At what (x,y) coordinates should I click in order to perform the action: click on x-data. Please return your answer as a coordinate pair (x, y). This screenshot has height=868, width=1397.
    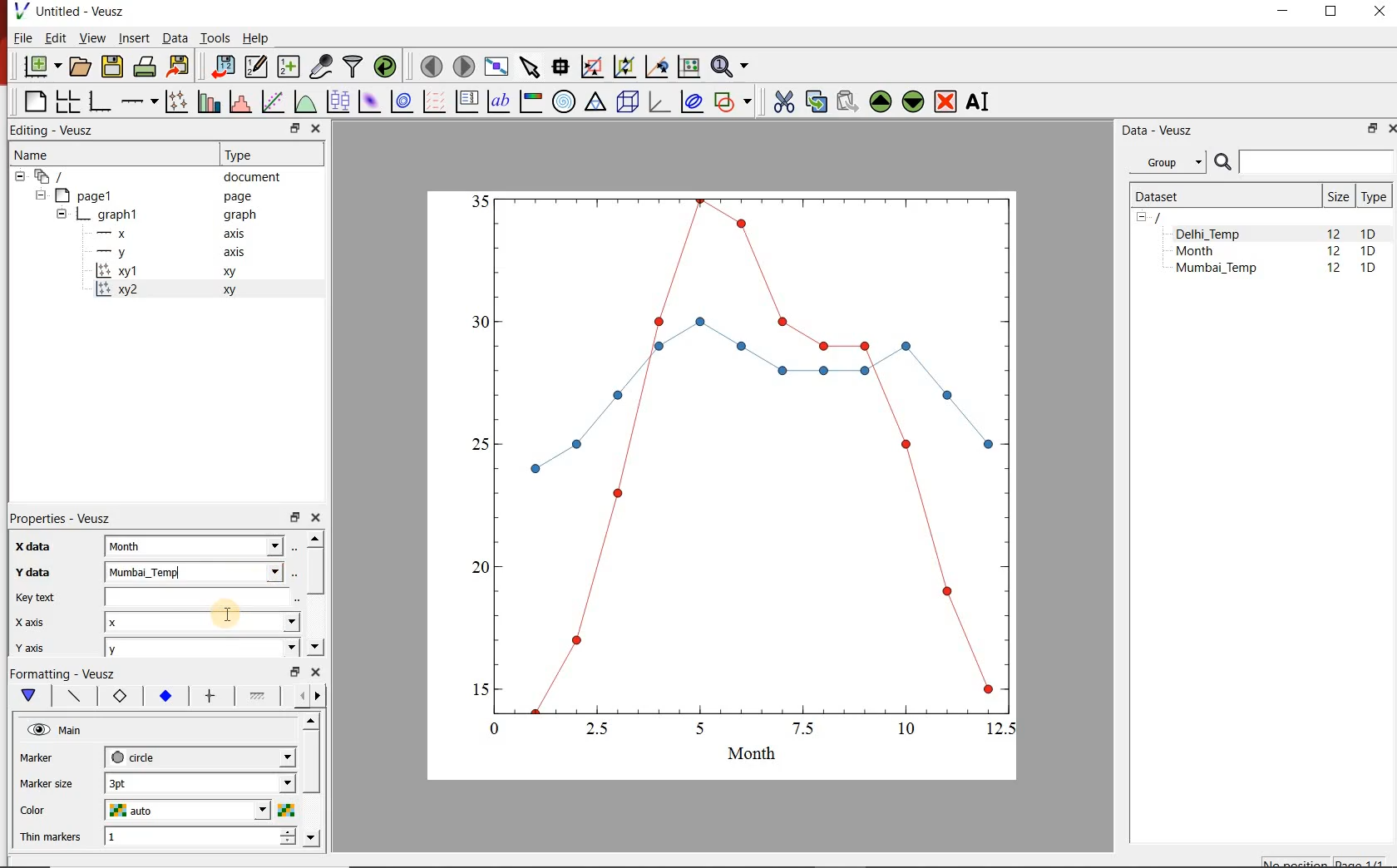
    Looking at the image, I should click on (35, 546).